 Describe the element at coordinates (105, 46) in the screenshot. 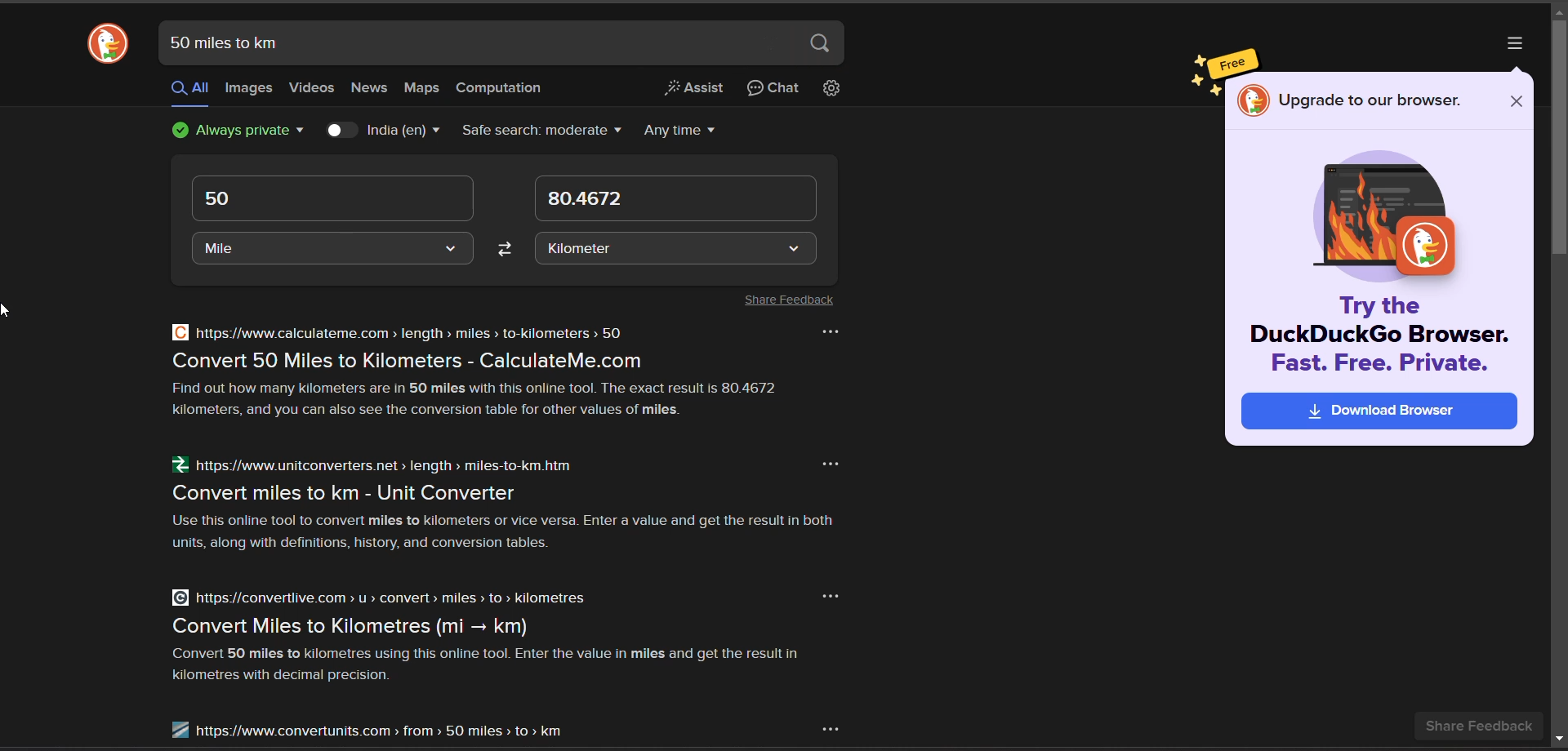

I see `logo` at that location.